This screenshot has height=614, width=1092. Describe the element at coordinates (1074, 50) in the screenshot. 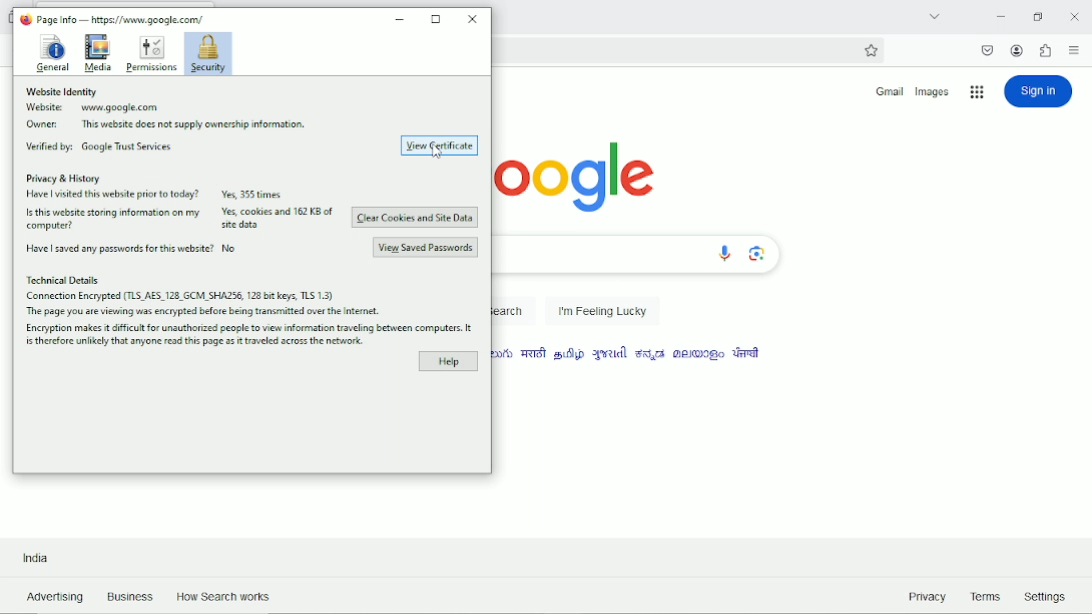

I see `Open application menu` at that location.